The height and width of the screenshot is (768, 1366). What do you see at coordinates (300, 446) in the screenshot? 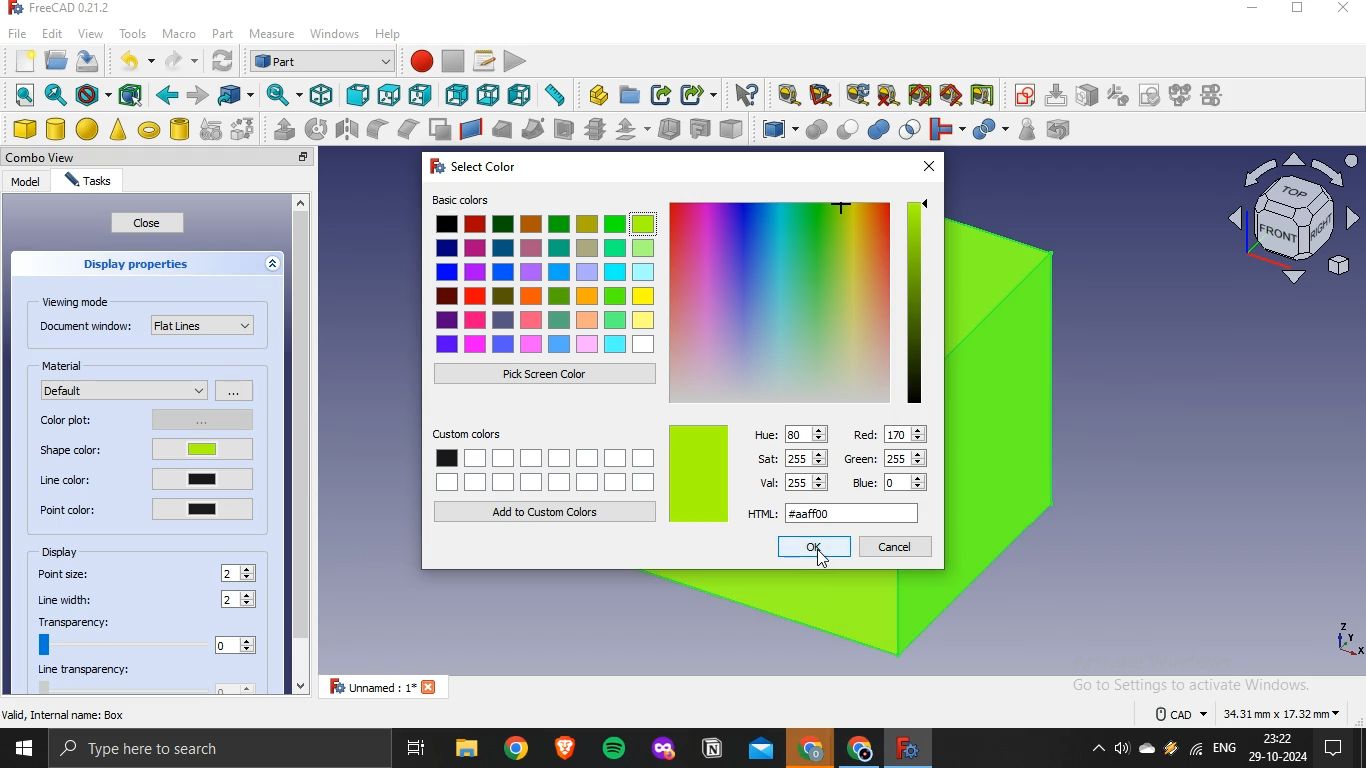
I see `scrollbar` at bounding box center [300, 446].